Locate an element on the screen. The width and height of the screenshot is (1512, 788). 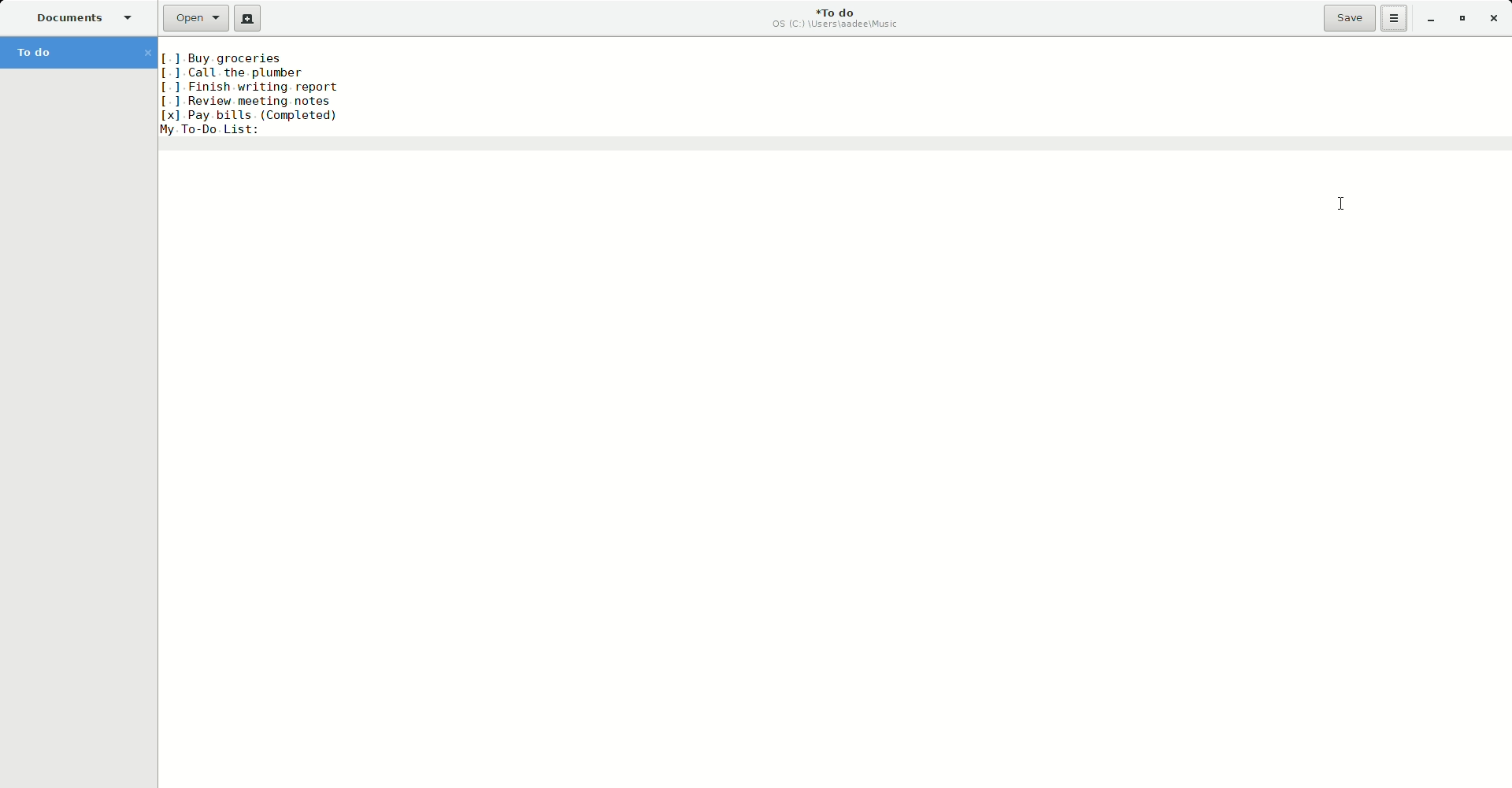
Cursor is located at coordinates (1339, 202).